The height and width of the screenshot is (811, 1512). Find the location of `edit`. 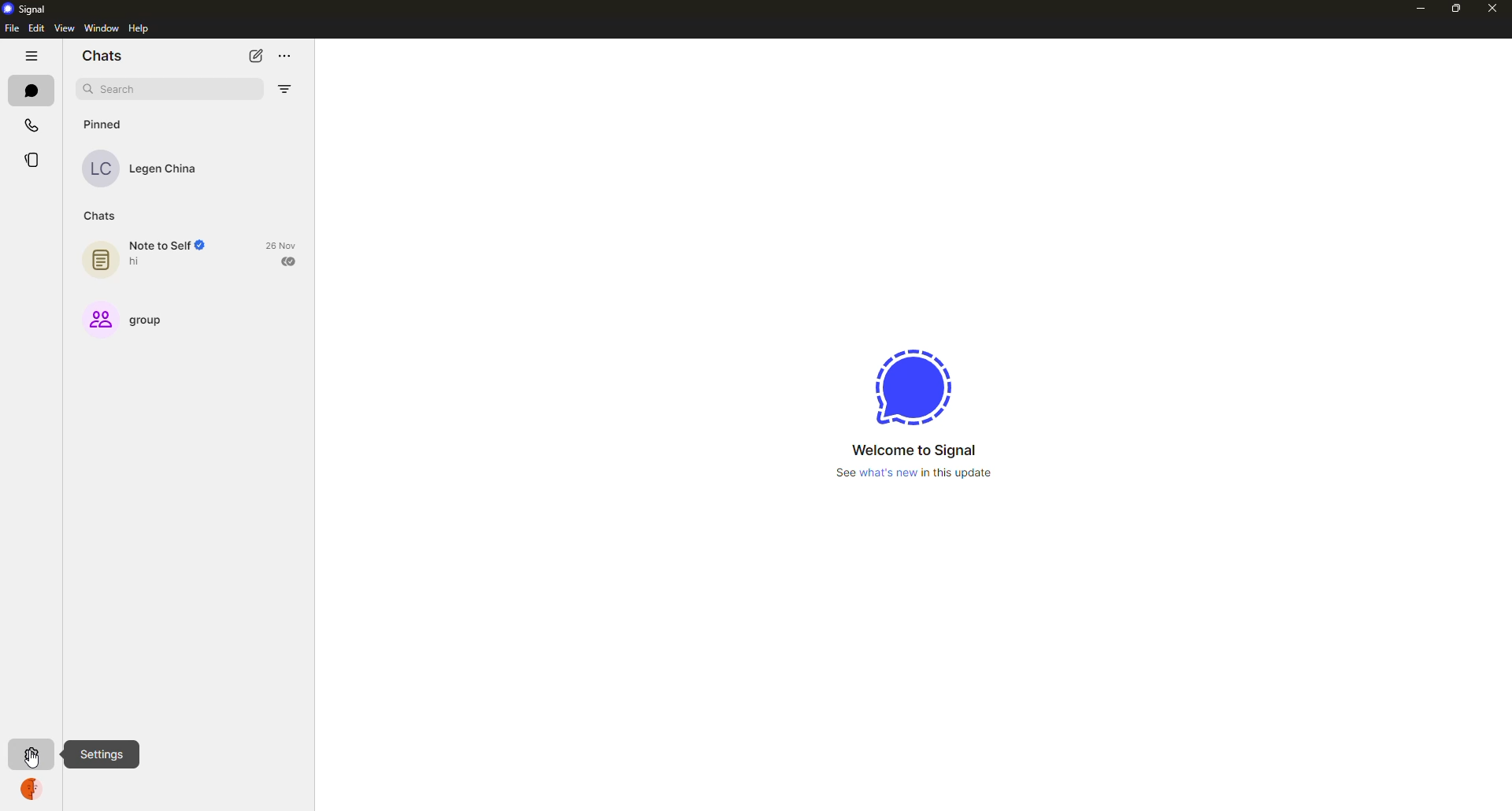

edit is located at coordinates (36, 28).